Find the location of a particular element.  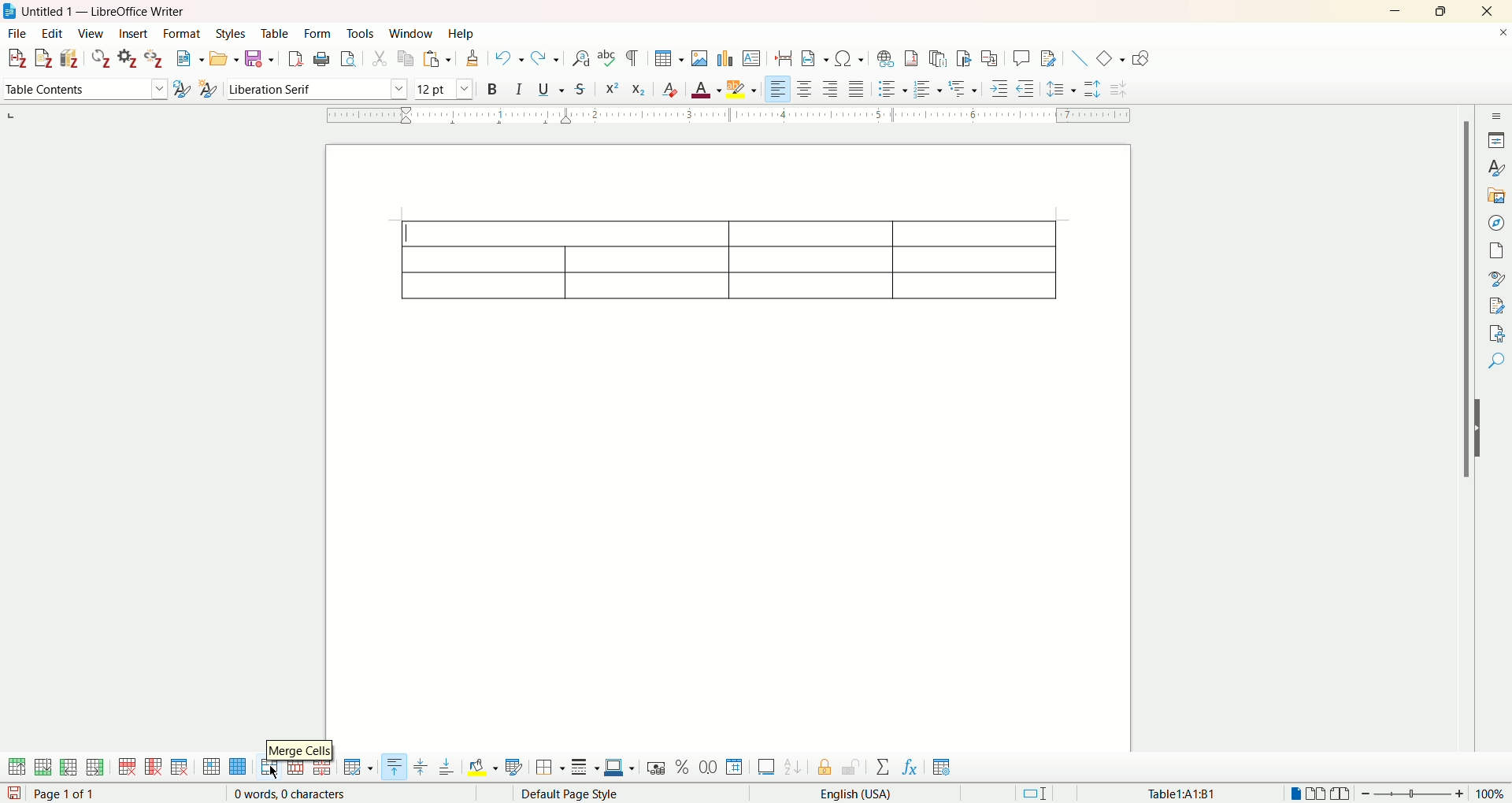

optimize size is located at coordinates (361, 766).